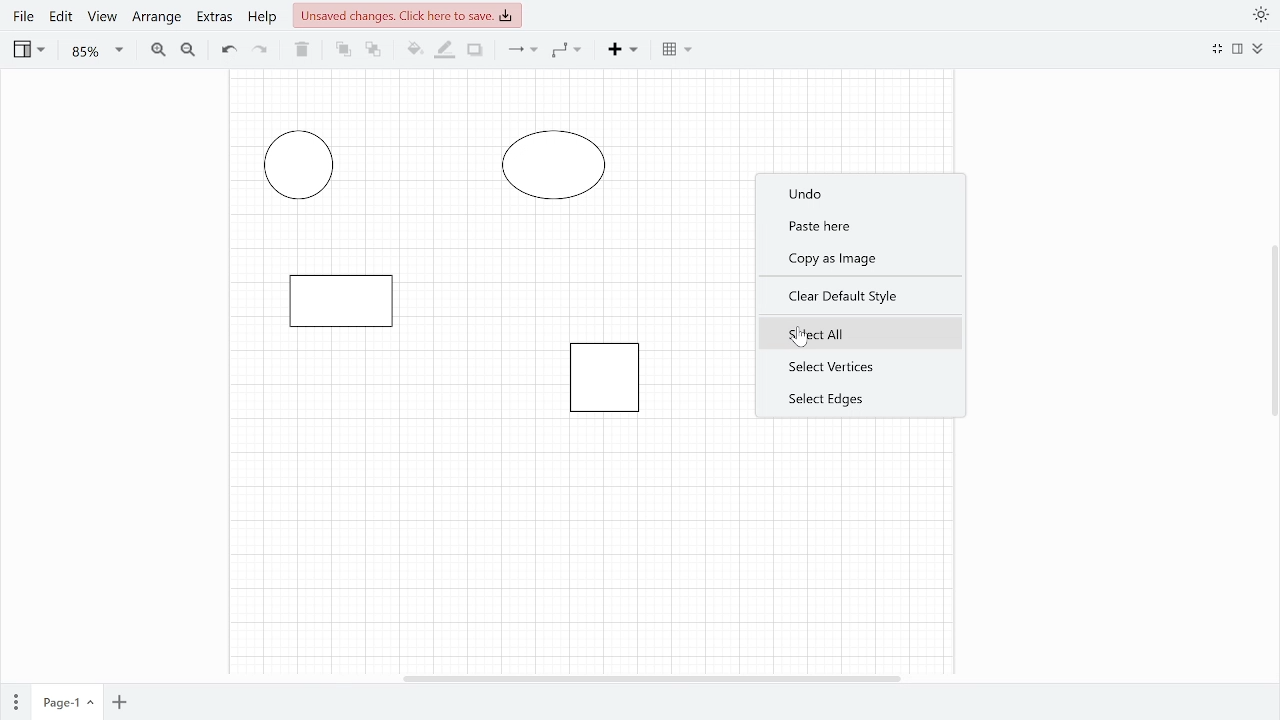 This screenshot has width=1280, height=720. Describe the element at coordinates (262, 51) in the screenshot. I see `Redo` at that location.